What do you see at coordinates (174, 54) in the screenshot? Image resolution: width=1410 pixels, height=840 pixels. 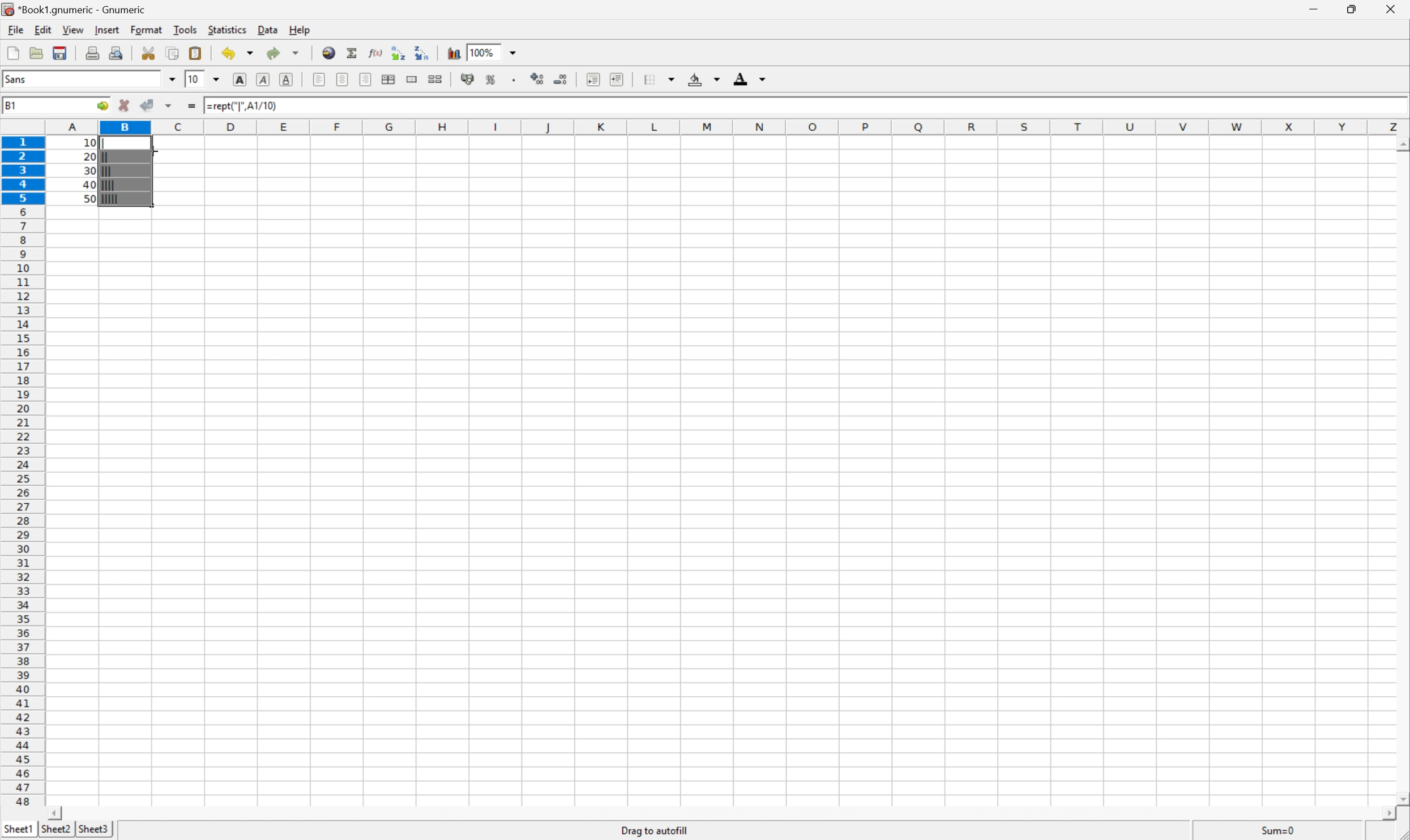 I see `Copy selection` at bounding box center [174, 54].